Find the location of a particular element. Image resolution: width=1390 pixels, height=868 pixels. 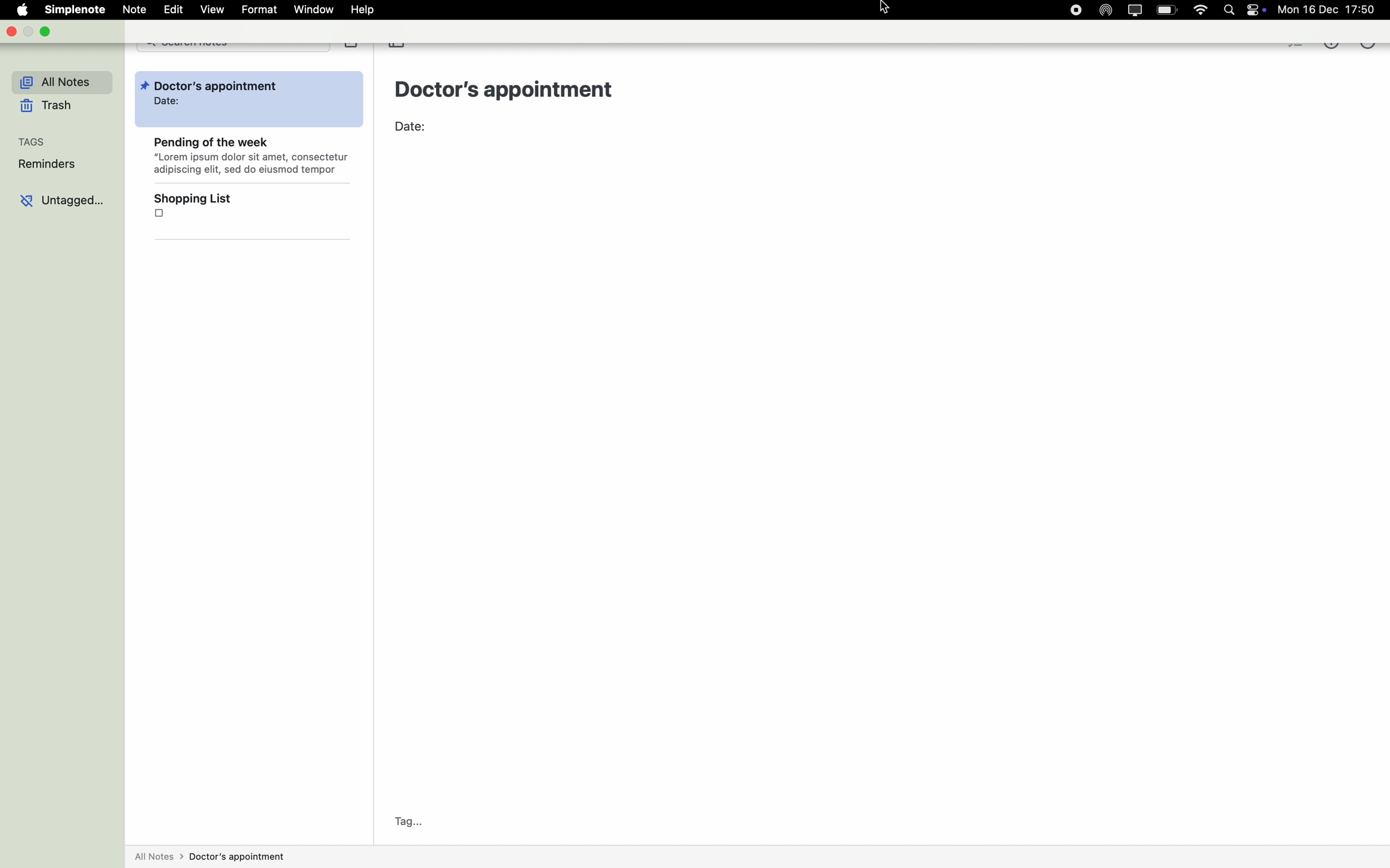

trash is located at coordinates (47, 107).